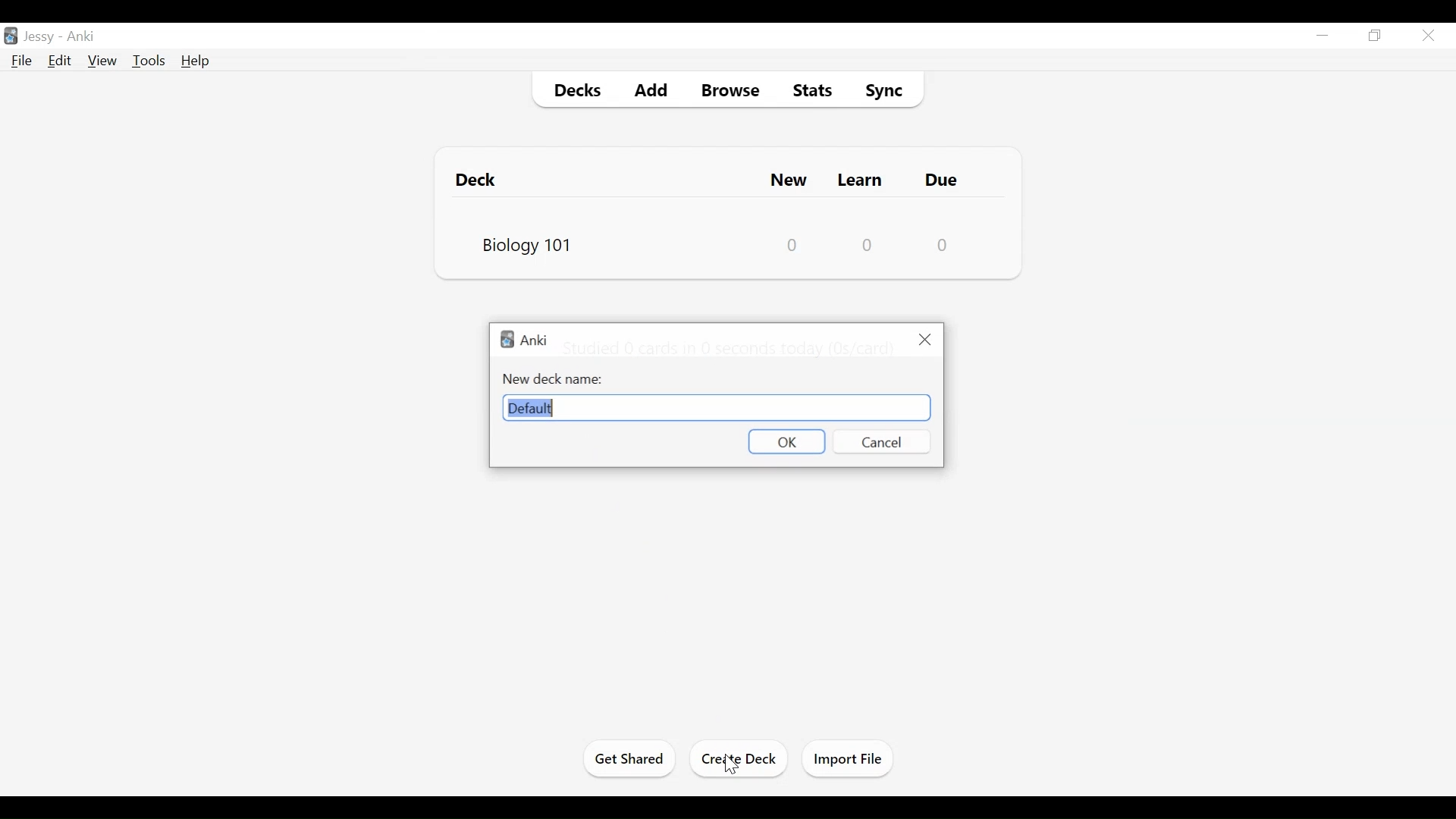 This screenshot has height=819, width=1456. I want to click on Edit, so click(61, 61).